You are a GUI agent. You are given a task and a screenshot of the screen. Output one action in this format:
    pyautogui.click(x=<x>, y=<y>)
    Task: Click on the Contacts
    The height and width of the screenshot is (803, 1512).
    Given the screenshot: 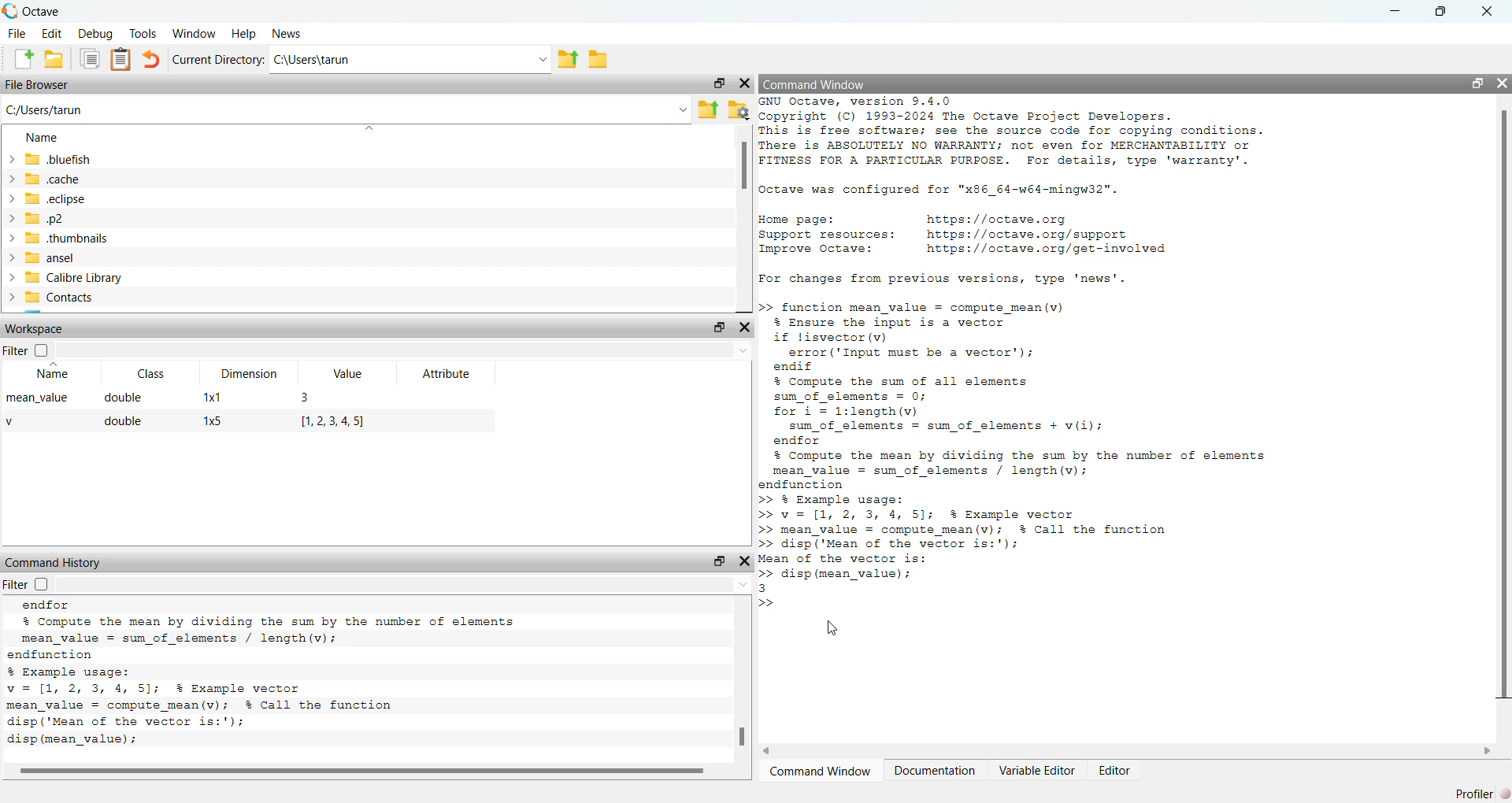 What is the action you would take?
    pyautogui.click(x=59, y=298)
    